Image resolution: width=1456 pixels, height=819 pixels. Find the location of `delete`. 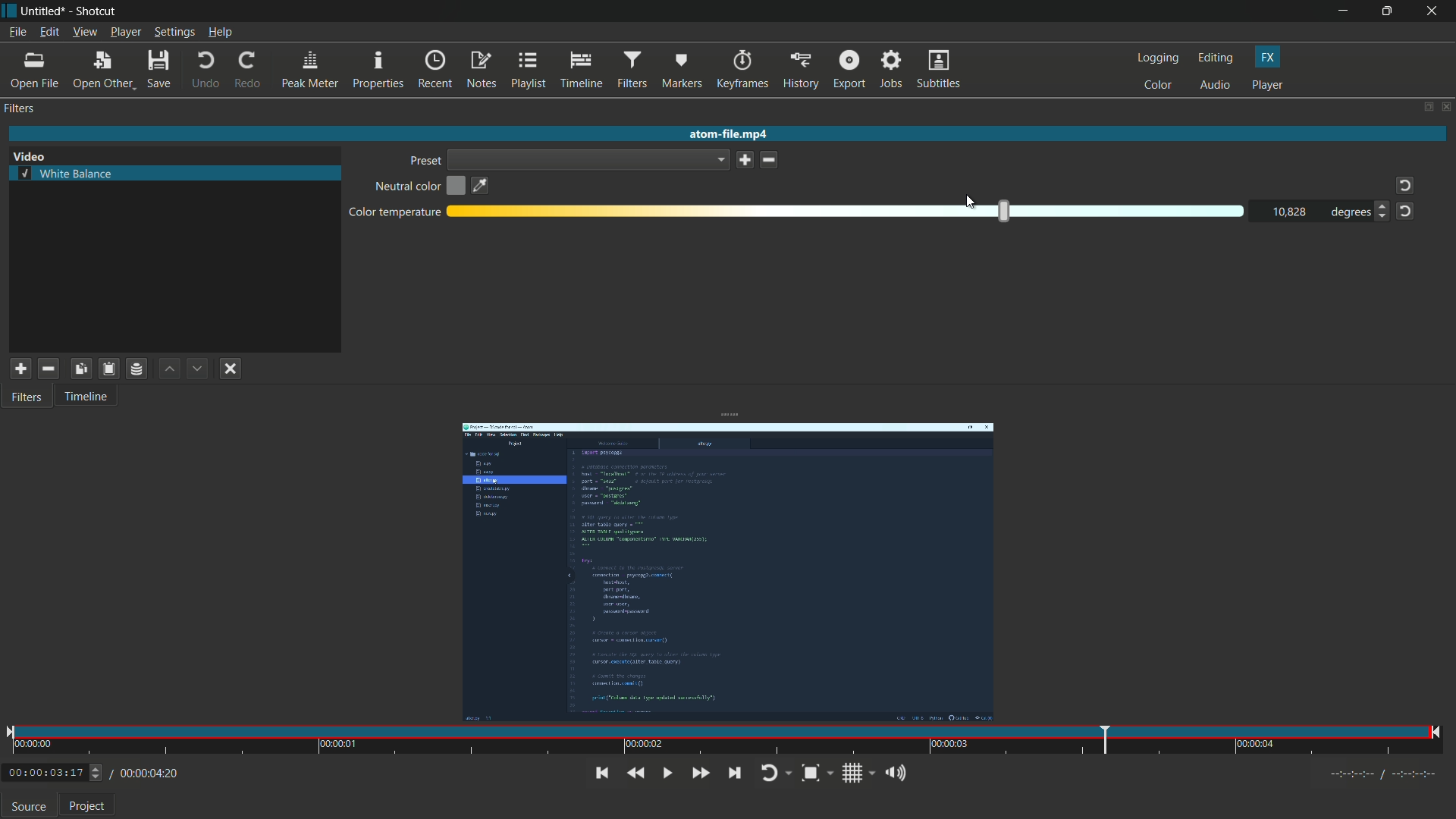

delete is located at coordinates (770, 160).